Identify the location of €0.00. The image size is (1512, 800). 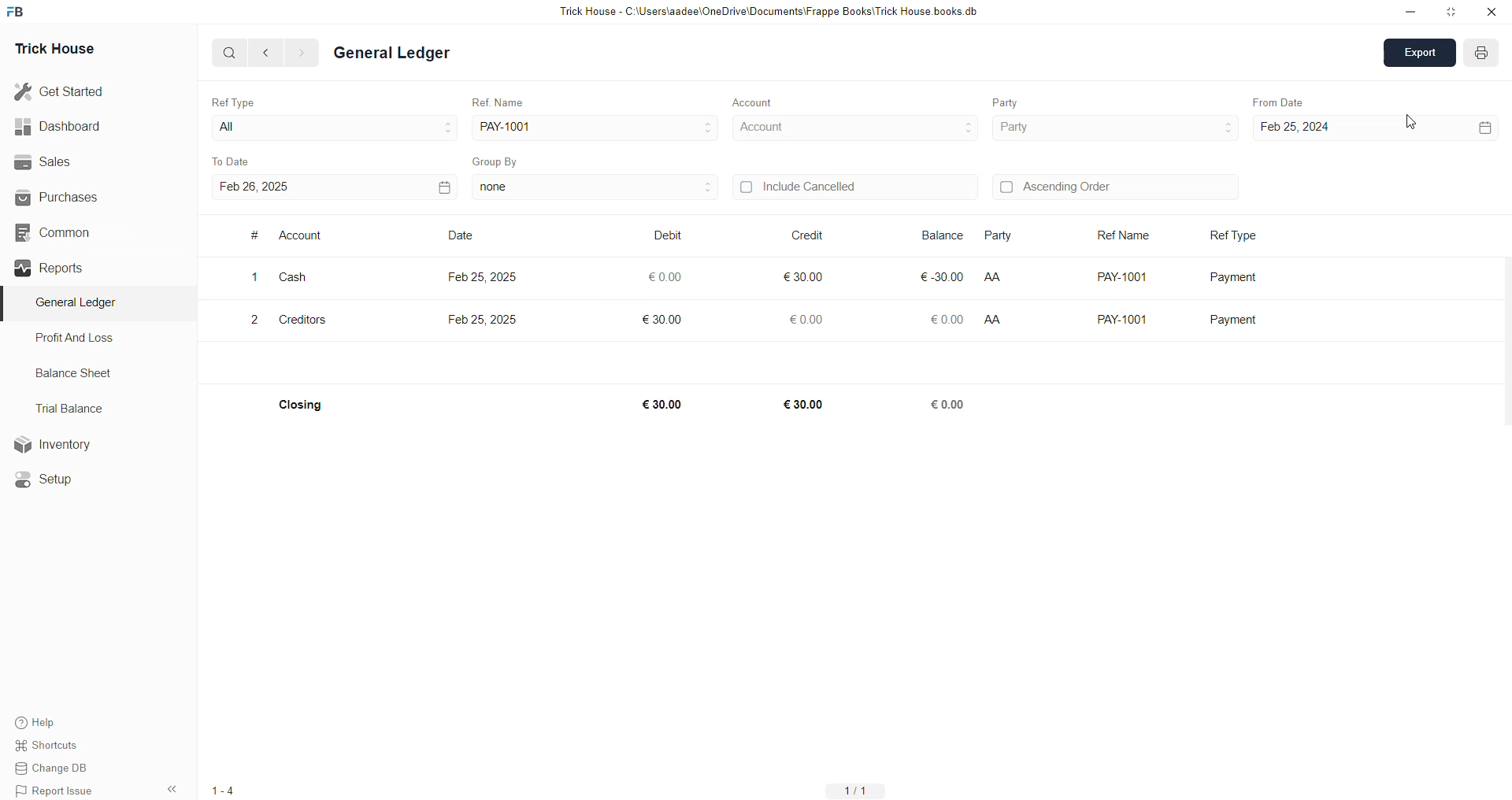
(811, 320).